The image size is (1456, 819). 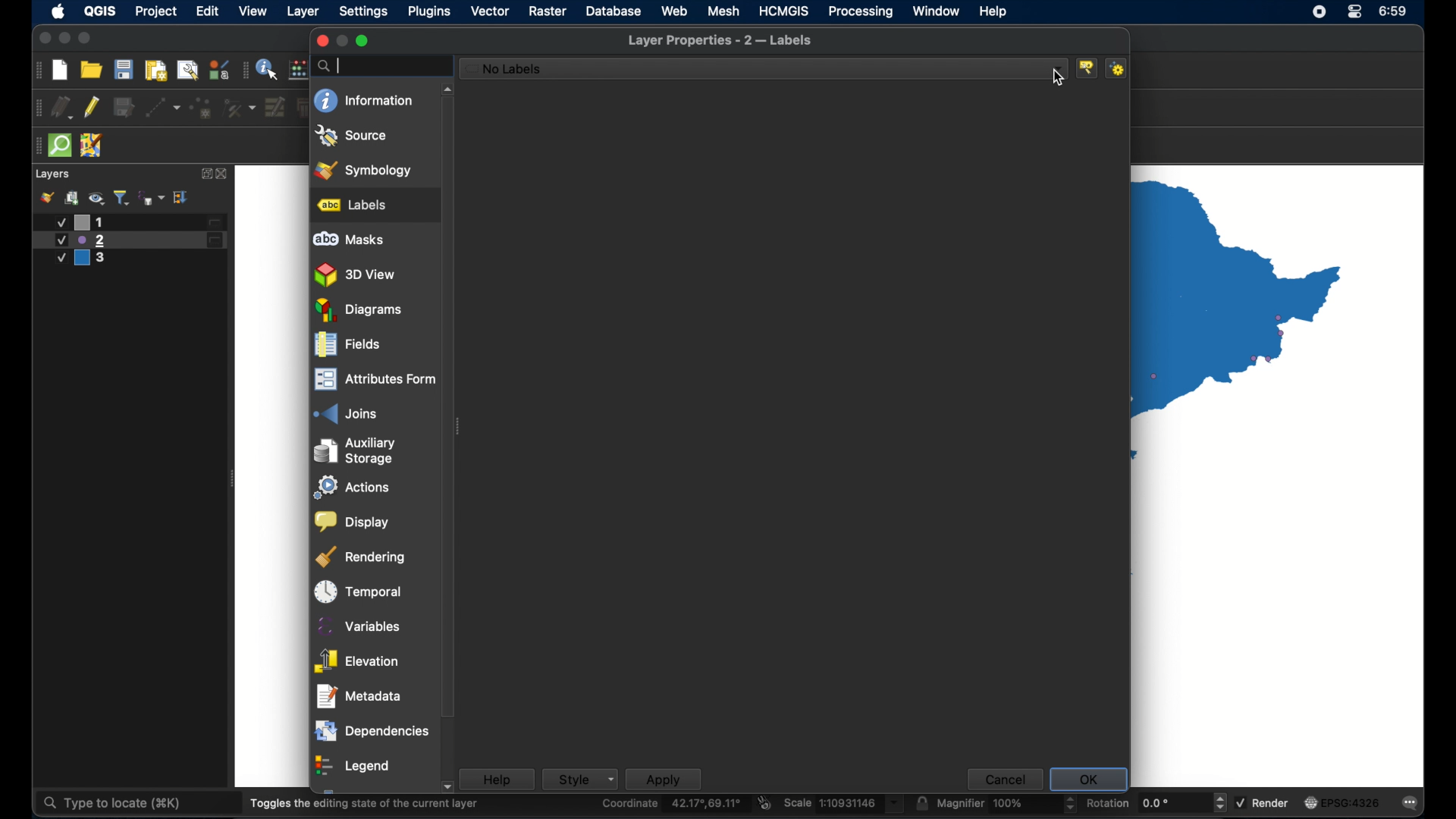 What do you see at coordinates (59, 71) in the screenshot?
I see `new` at bounding box center [59, 71].